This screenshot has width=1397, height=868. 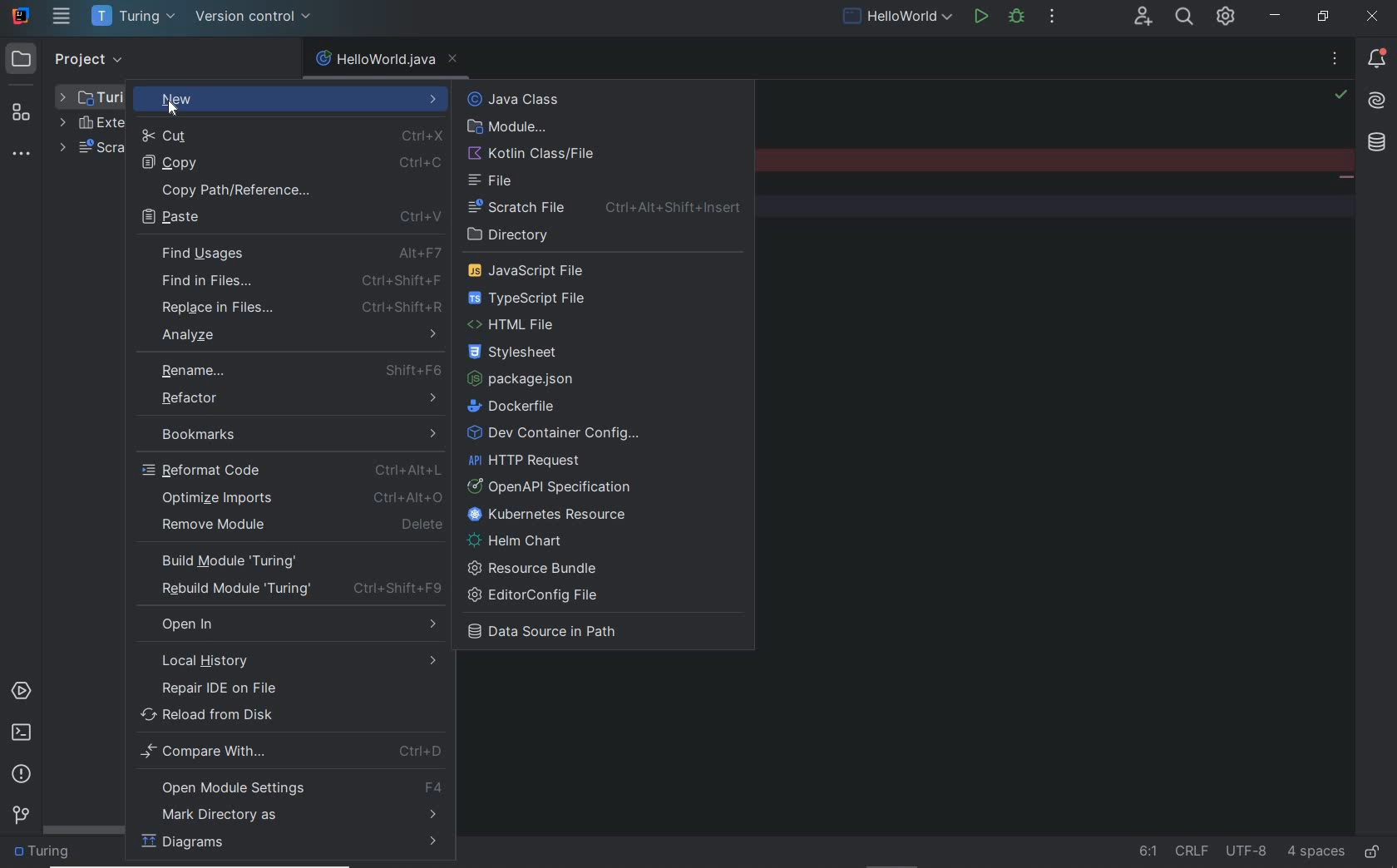 I want to click on kotlin class/file, so click(x=535, y=154).